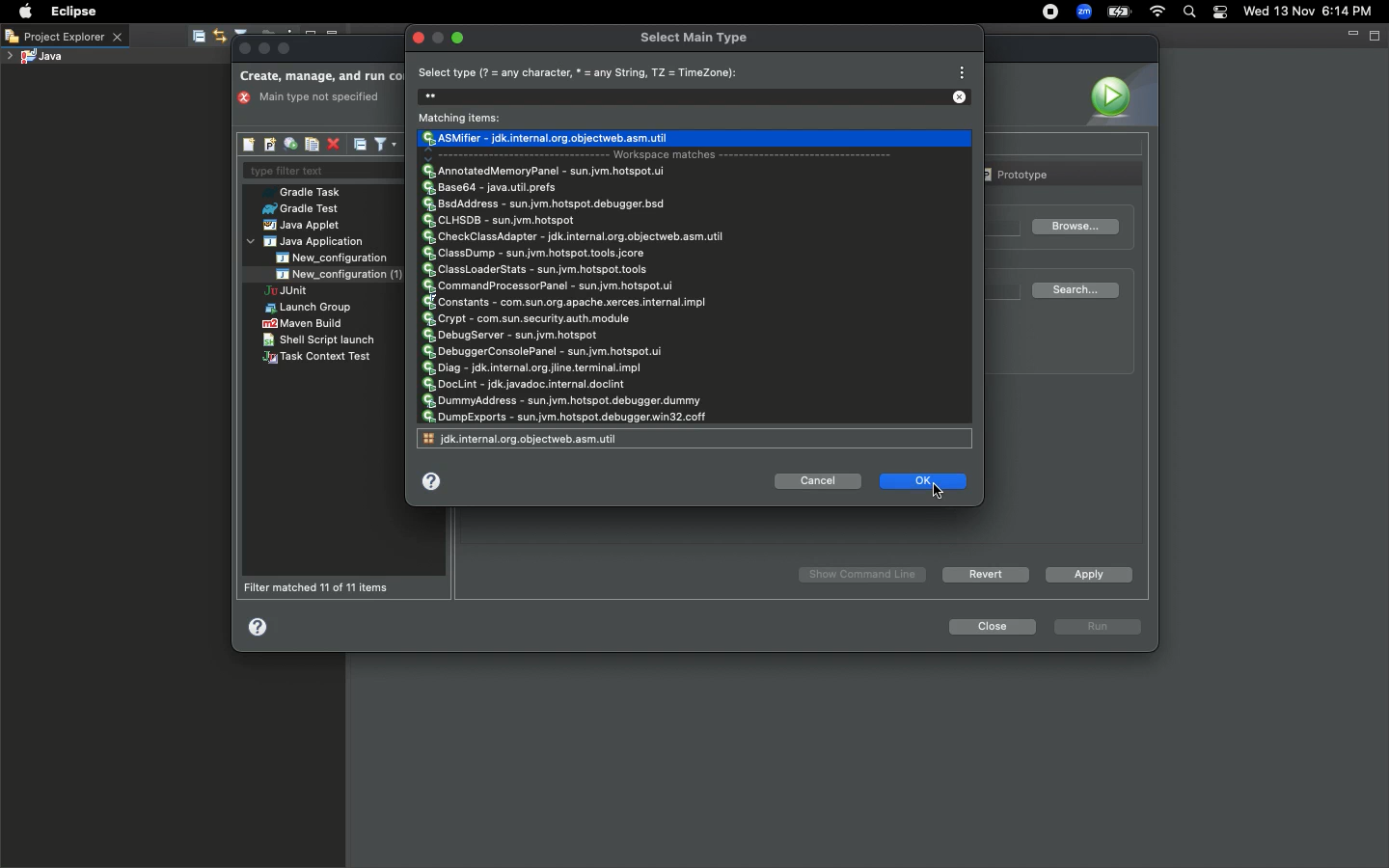 Image resolution: width=1389 pixels, height=868 pixels. I want to click on Constants - com.sun.org.apache.xerces.internal.impl, so click(563, 303).